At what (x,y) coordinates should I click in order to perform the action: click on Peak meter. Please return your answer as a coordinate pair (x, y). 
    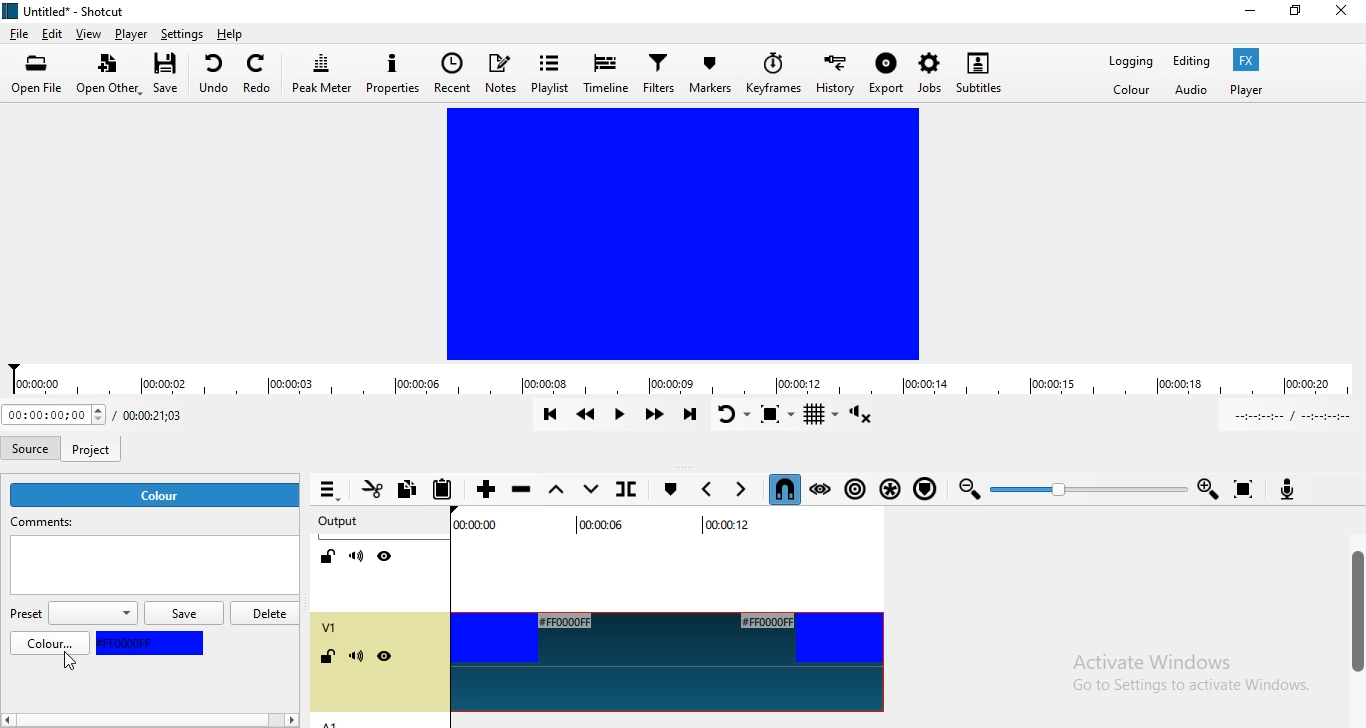
    Looking at the image, I should click on (322, 73).